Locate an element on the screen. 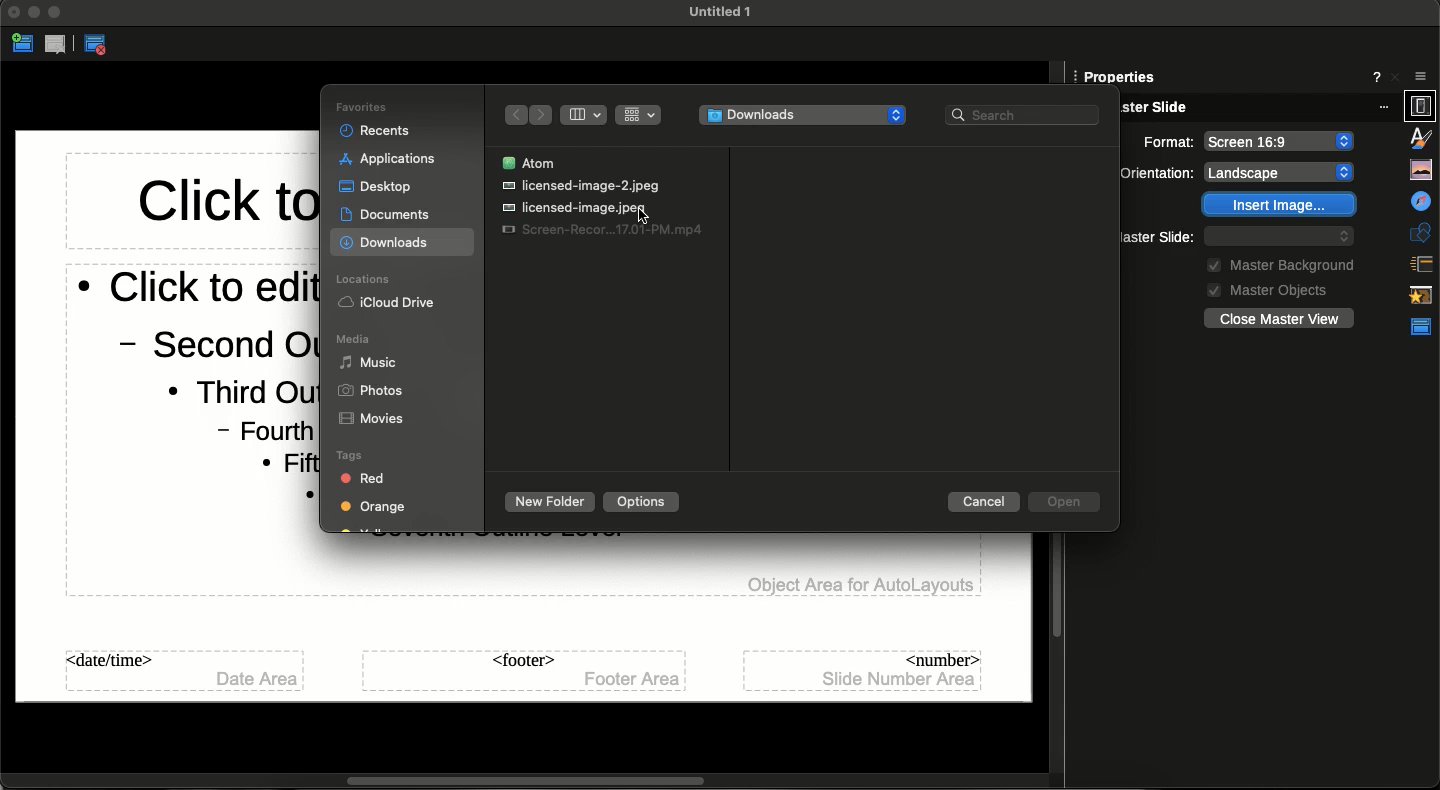 The height and width of the screenshot is (790, 1440). Close is located at coordinates (14, 14).